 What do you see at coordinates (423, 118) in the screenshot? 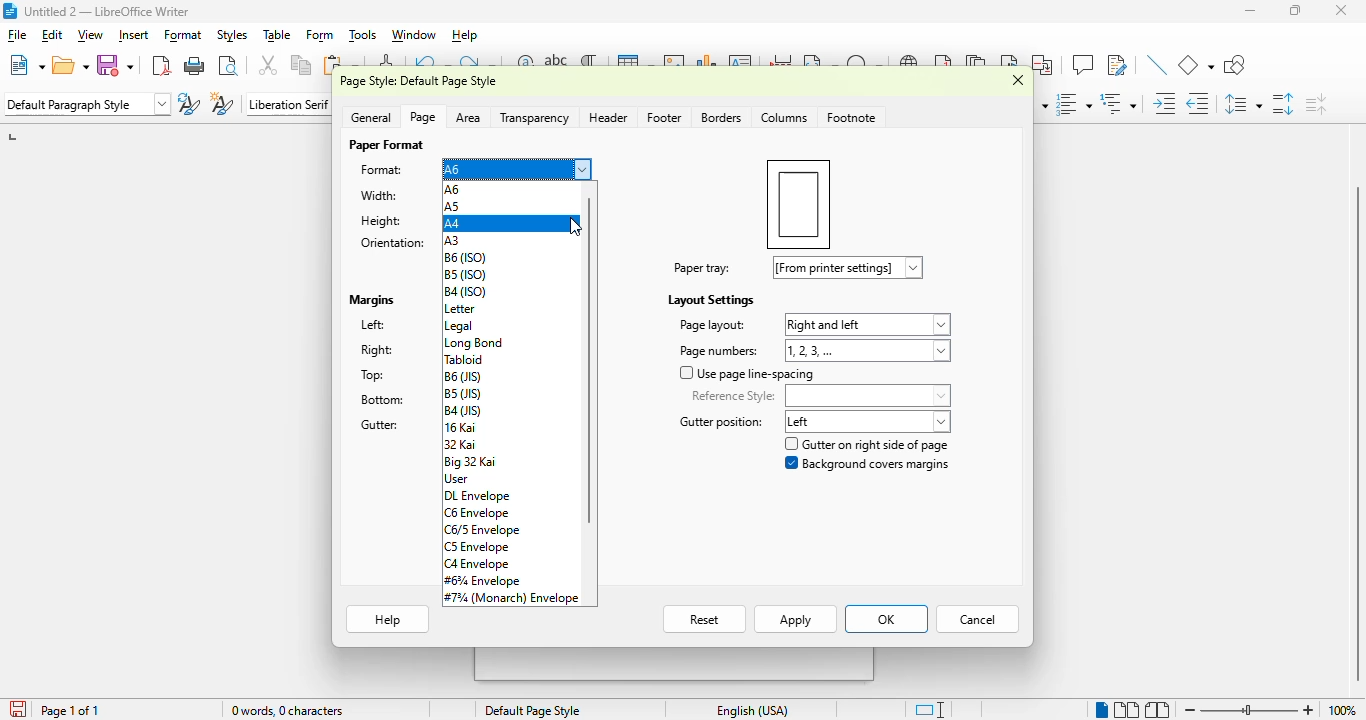
I see `page` at bounding box center [423, 118].